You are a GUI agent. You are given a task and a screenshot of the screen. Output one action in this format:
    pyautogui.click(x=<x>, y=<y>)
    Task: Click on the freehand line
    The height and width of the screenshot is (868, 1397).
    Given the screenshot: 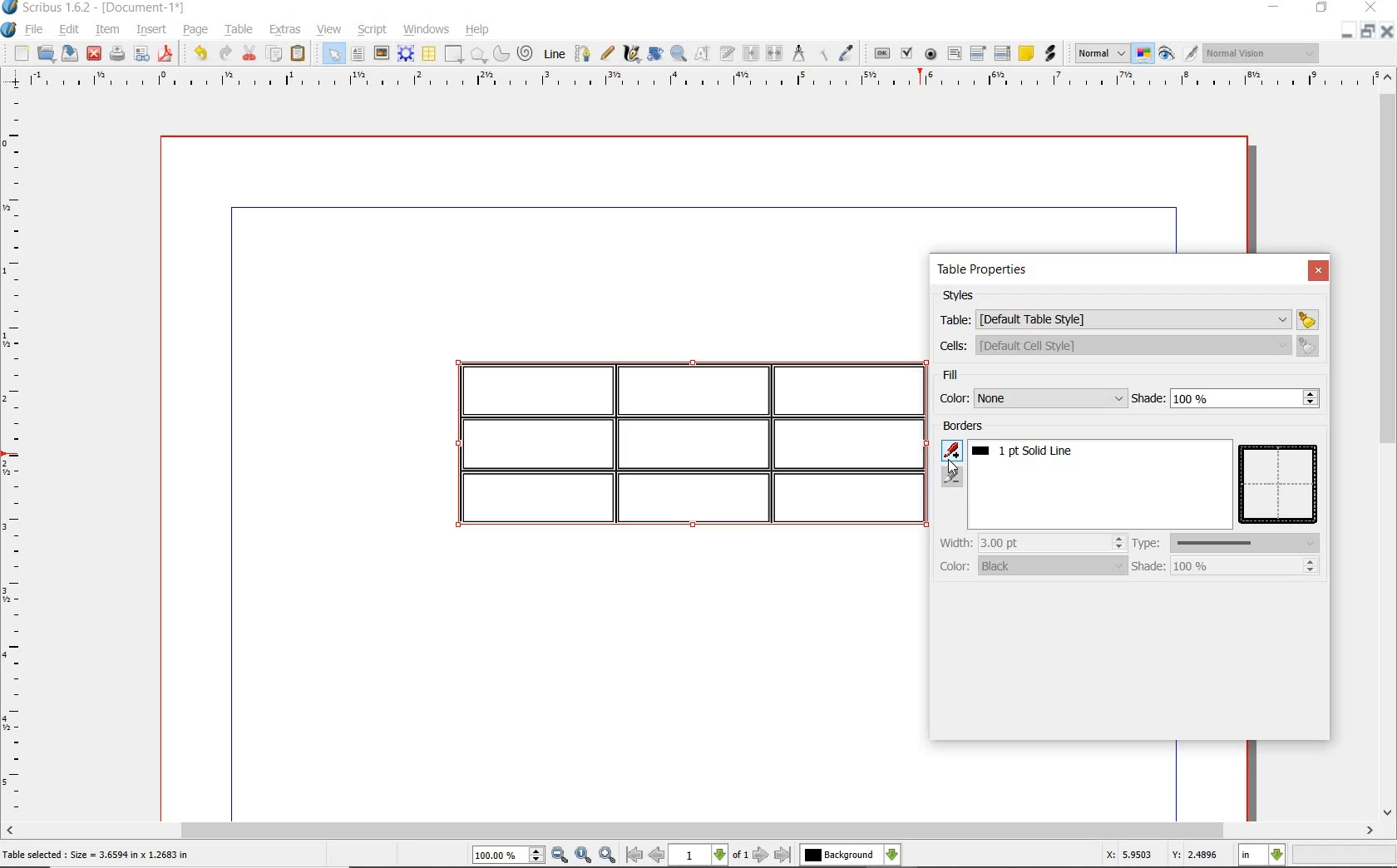 What is the action you would take?
    pyautogui.click(x=608, y=55)
    